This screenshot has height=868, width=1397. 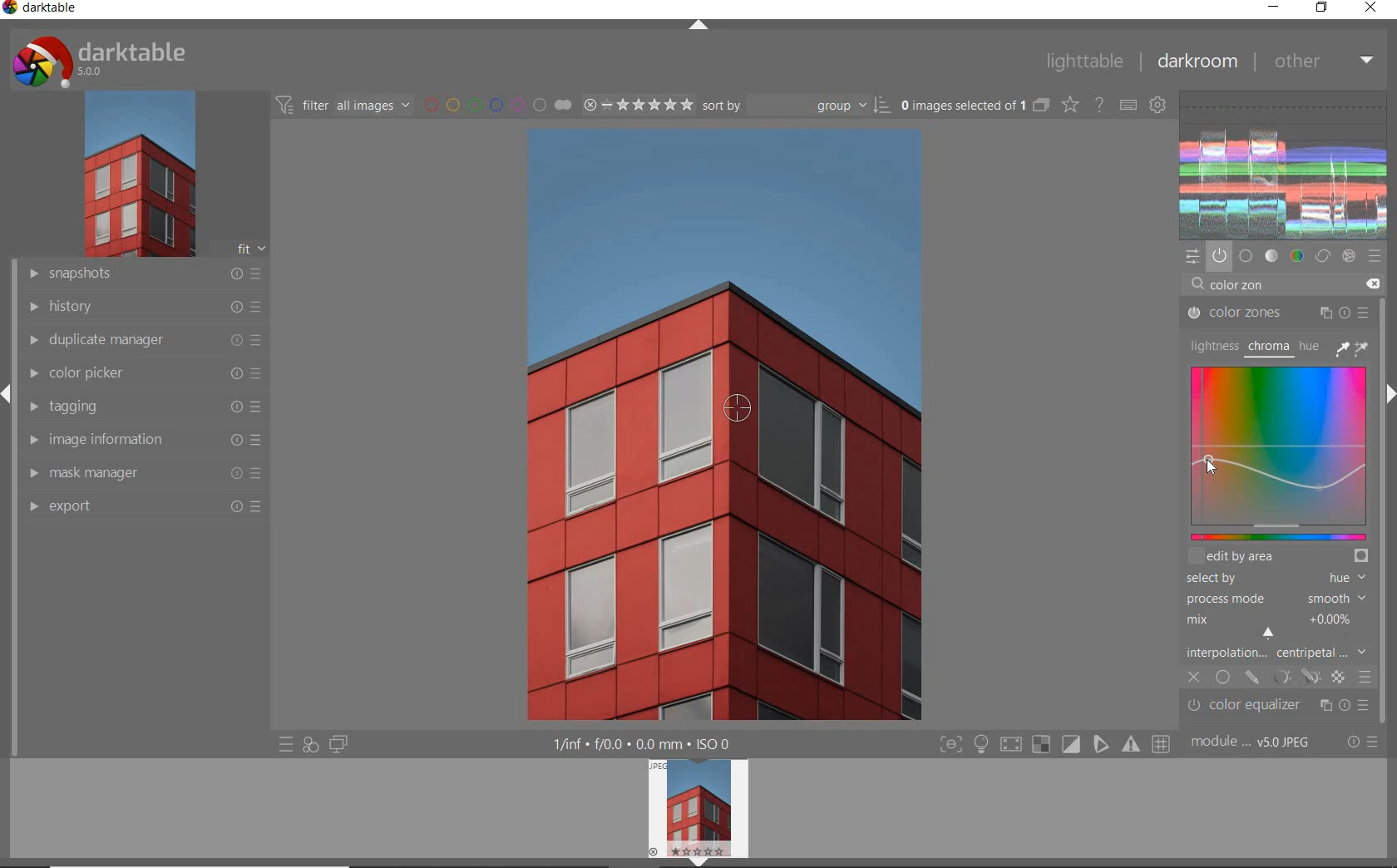 What do you see at coordinates (797, 106) in the screenshot?
I see `Sort` at bounding box center [797, 106].